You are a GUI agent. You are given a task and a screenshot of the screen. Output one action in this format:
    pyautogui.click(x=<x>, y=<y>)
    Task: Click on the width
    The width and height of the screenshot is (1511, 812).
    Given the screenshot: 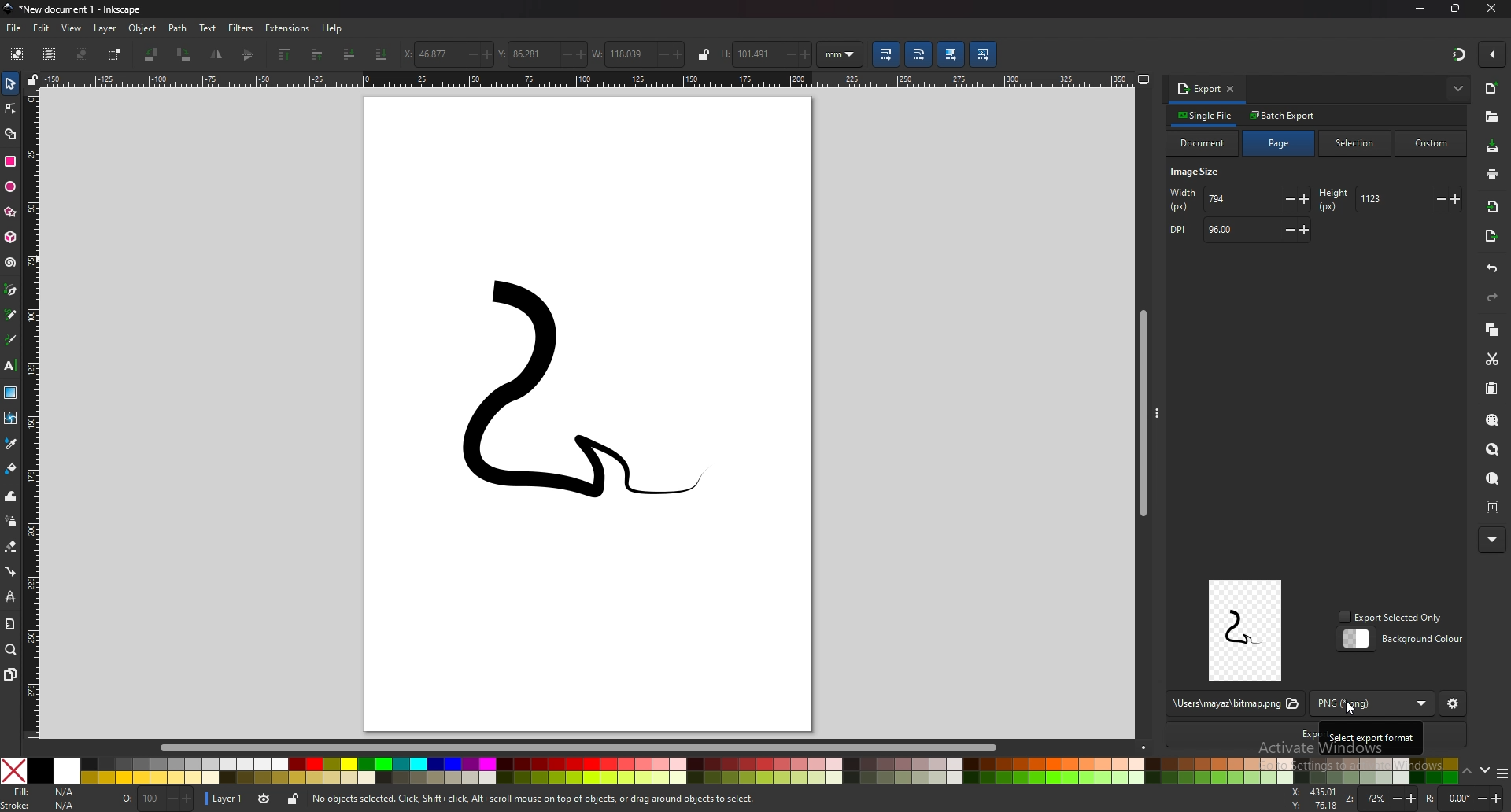 What is the action you would take?
    pyautogui.click(x=1240, y=200)
    